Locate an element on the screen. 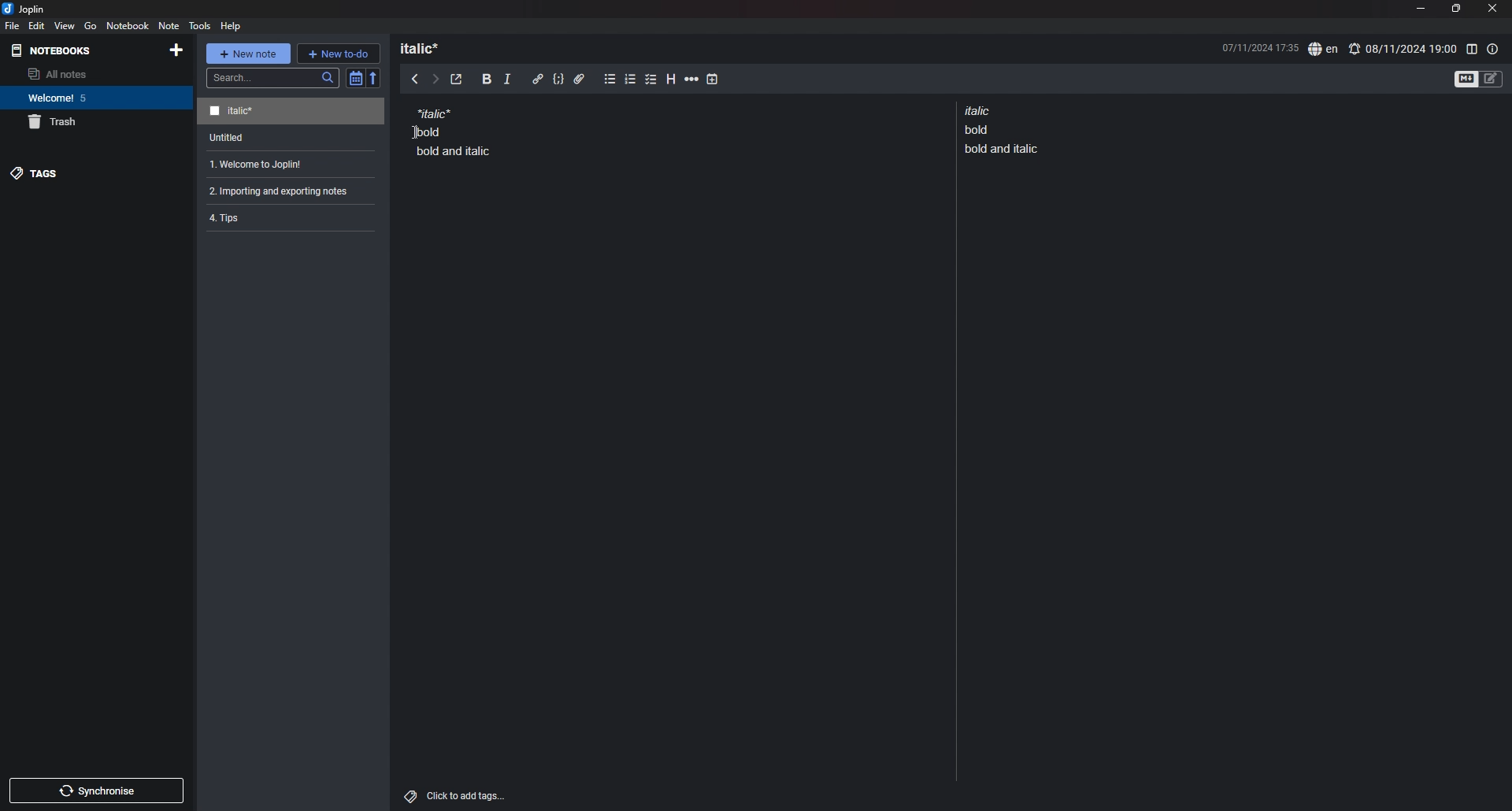  new note is located at coordinates (247, 54).